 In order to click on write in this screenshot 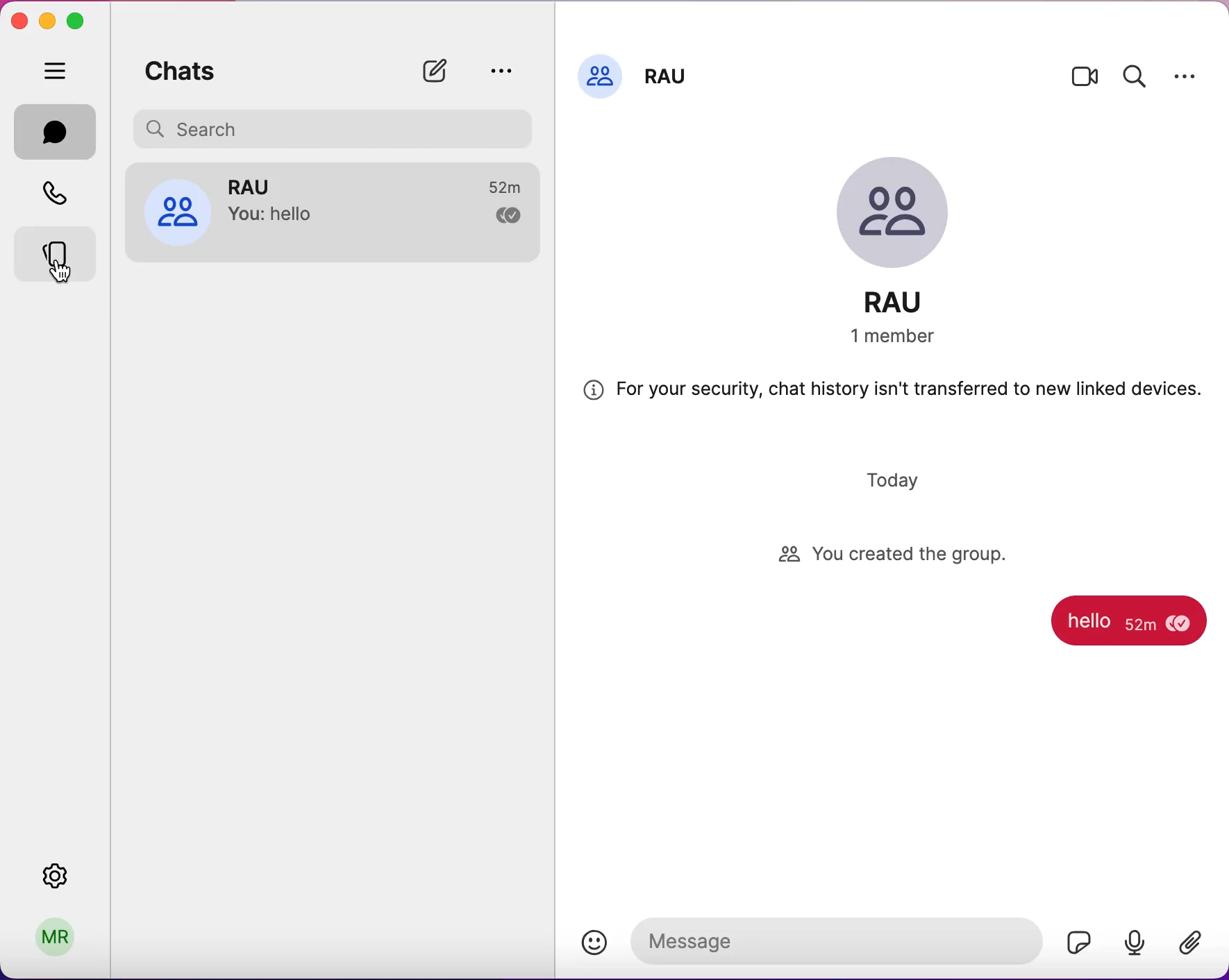, I will do `click(440, 66)`.